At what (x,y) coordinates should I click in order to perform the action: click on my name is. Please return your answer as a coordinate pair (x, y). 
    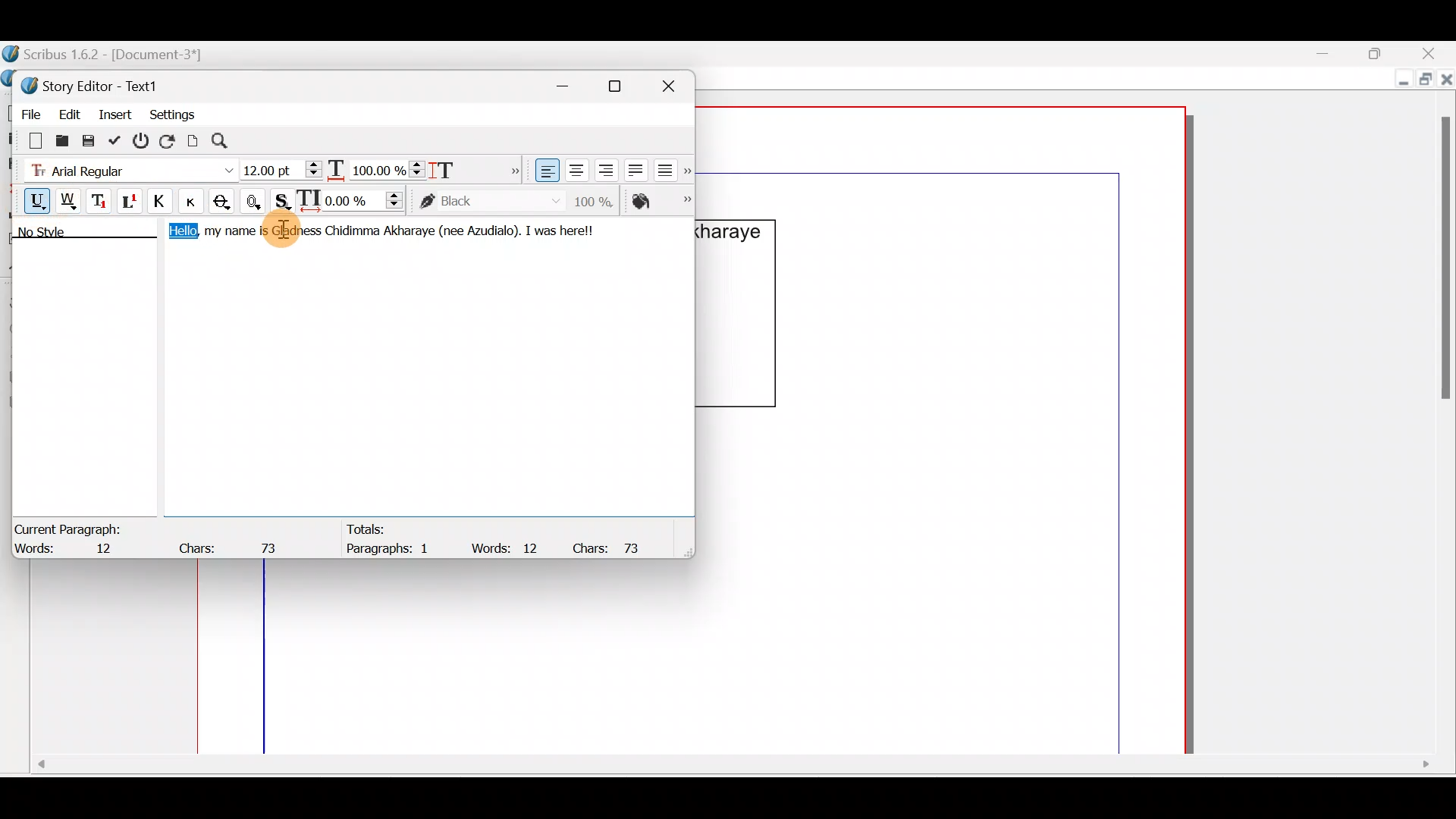
    Looking at the image, I should click on (235, 234).